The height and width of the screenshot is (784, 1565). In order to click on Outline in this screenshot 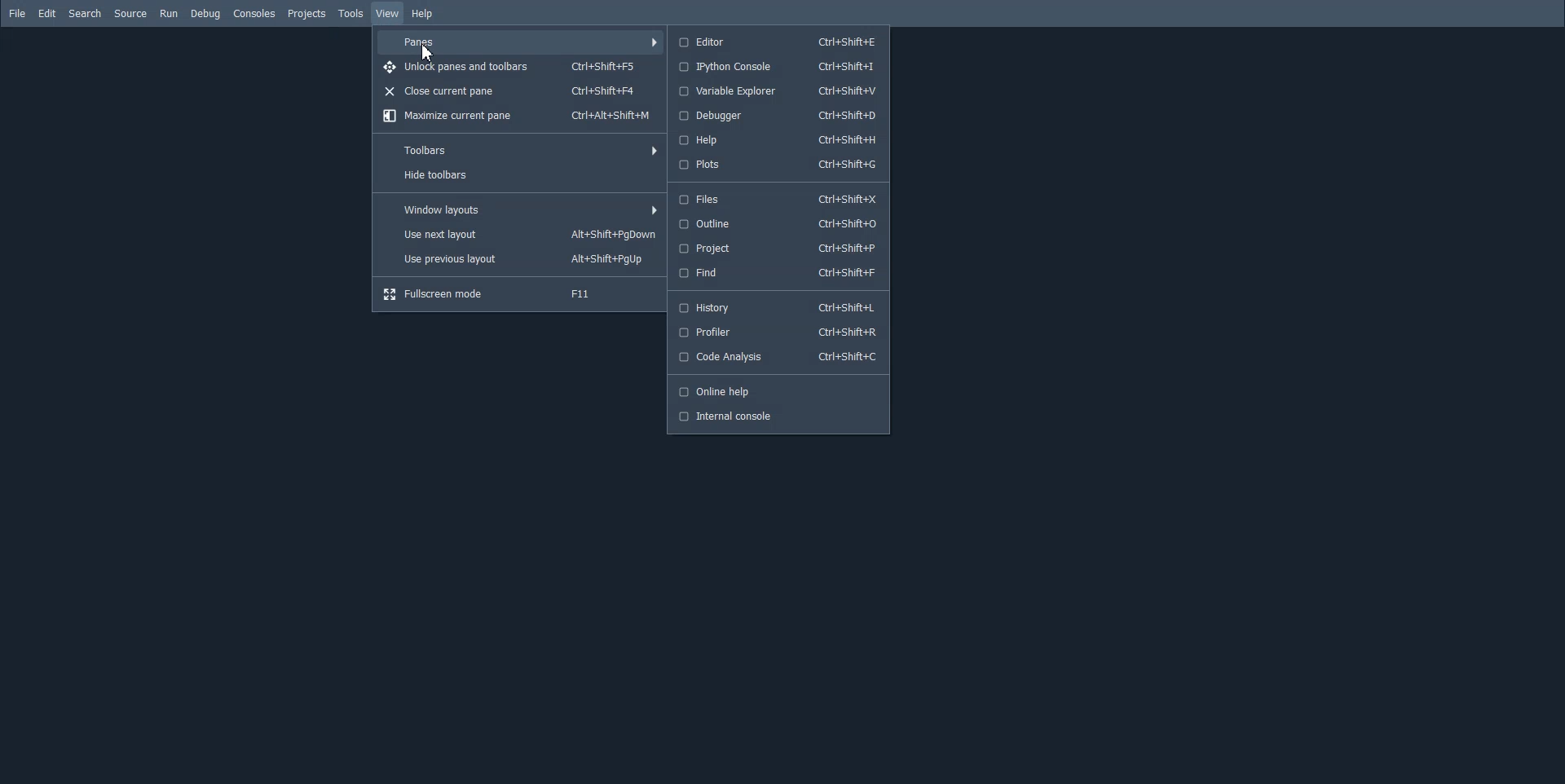, I will do `click(776, 223)`.